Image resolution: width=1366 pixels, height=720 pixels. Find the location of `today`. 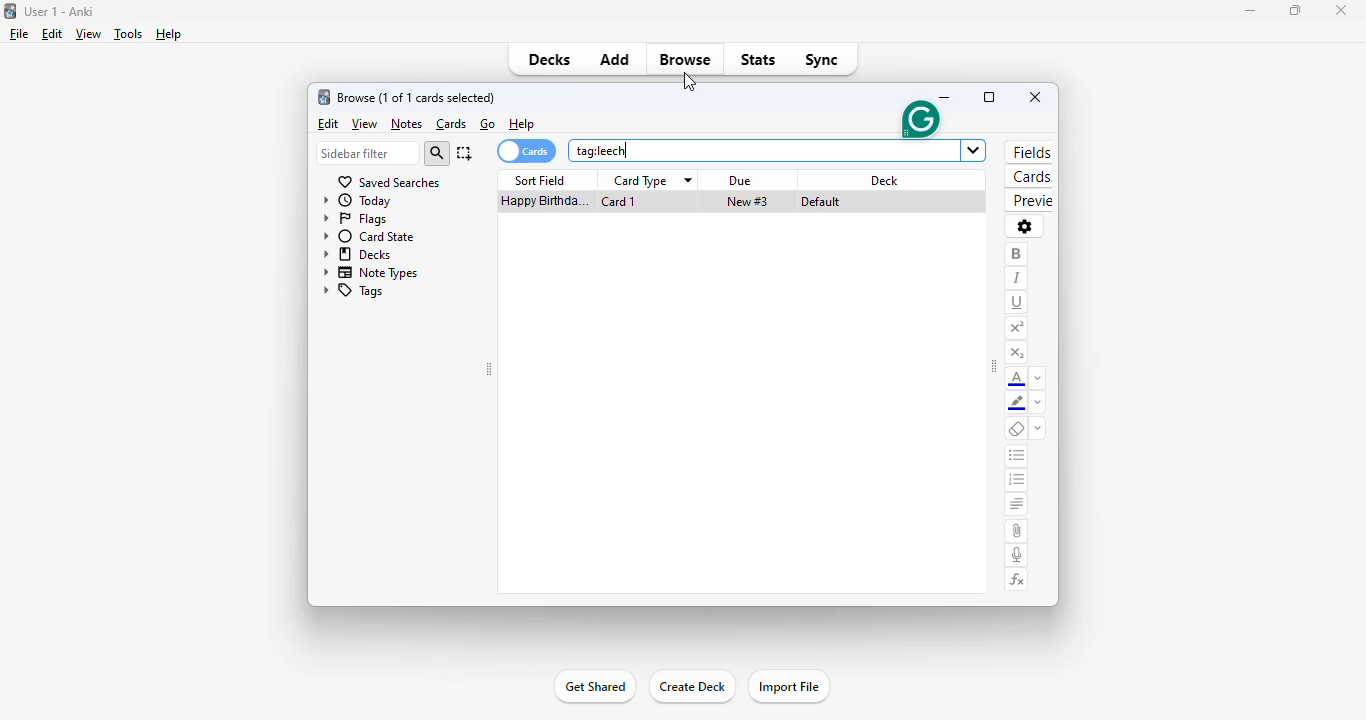

today is located at coordinates (358, 201).